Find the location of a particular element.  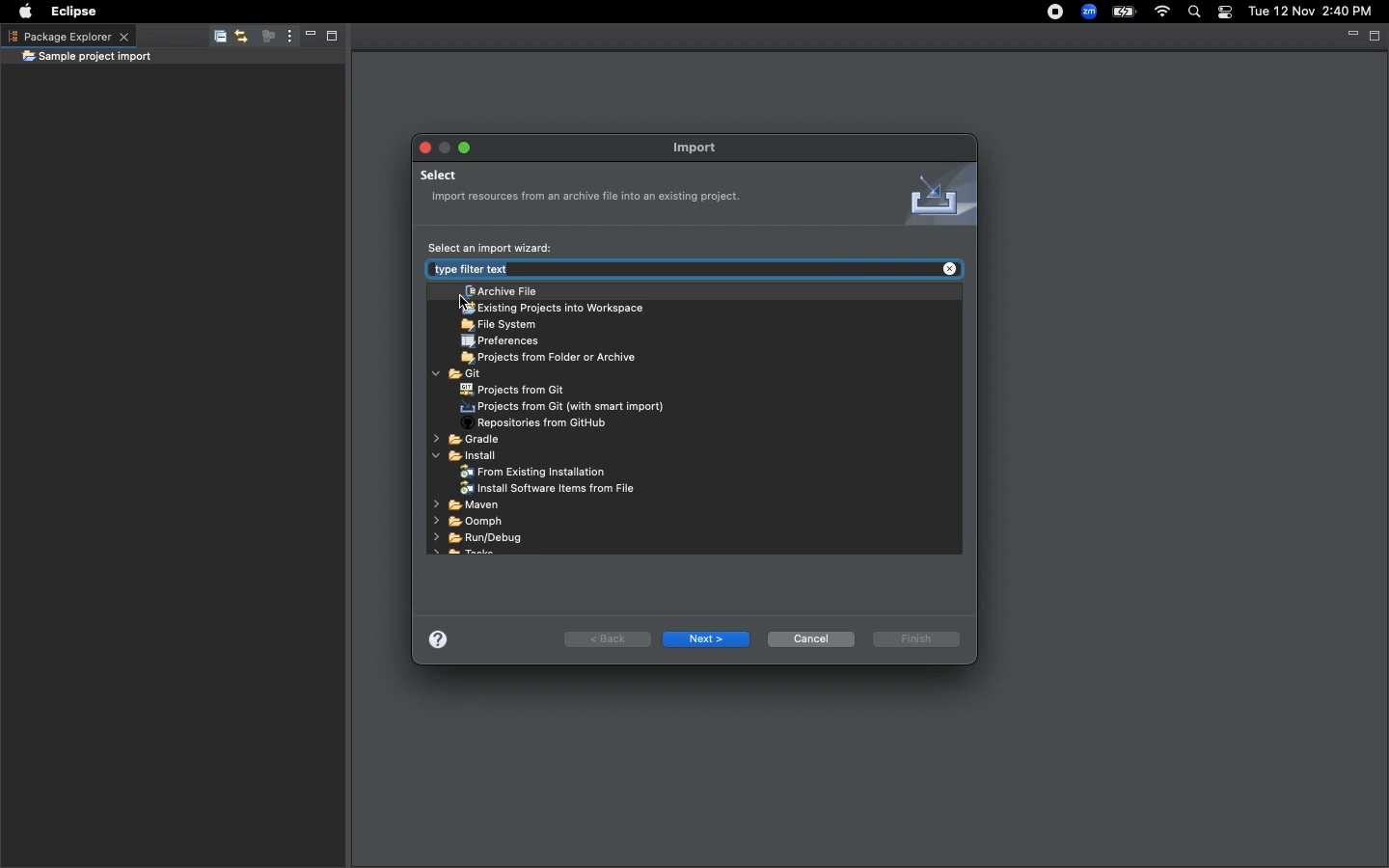

Apple logo is located at coordinates (25, 10).